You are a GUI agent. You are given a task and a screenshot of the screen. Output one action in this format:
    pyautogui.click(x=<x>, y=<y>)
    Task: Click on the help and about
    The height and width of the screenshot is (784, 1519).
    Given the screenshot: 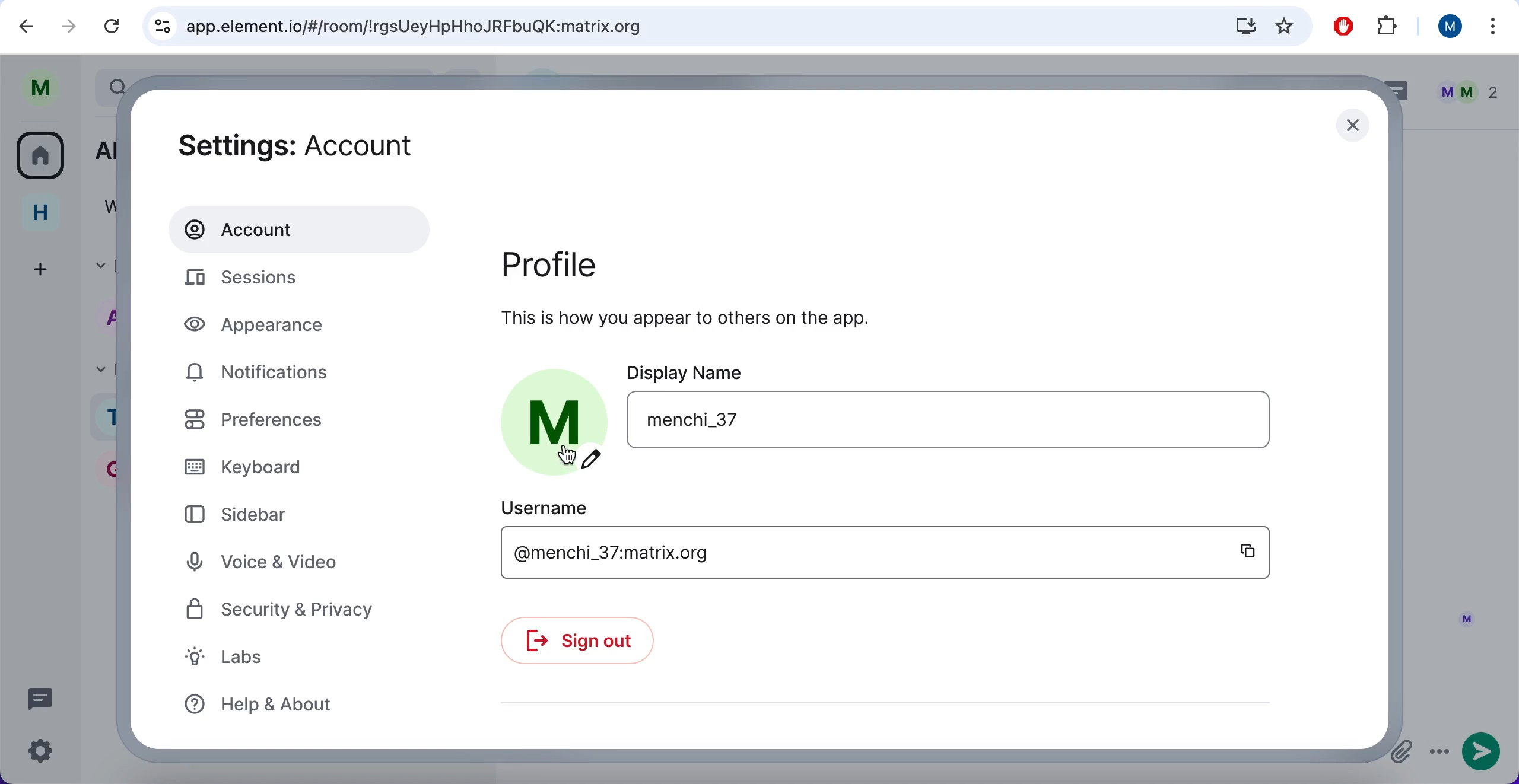 What is the action you would take?
    pyautogui.click(x=279, y=706)
    